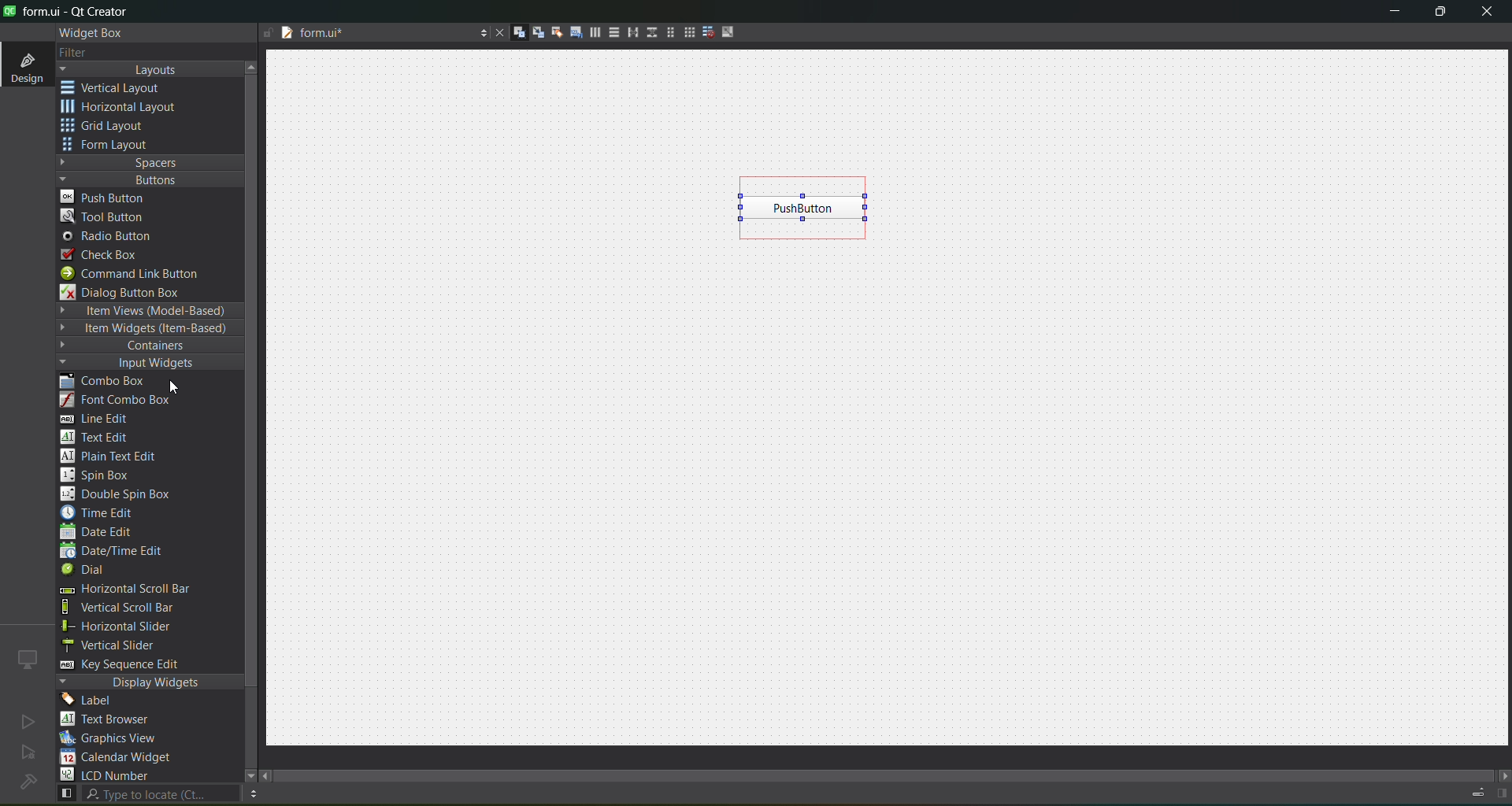 Image resolution: width=1512 pixels, height=806 pixels. What do you see at coordinates (142, 346) in the screenshot?
I see `containers` at bounding box center [142, 346].